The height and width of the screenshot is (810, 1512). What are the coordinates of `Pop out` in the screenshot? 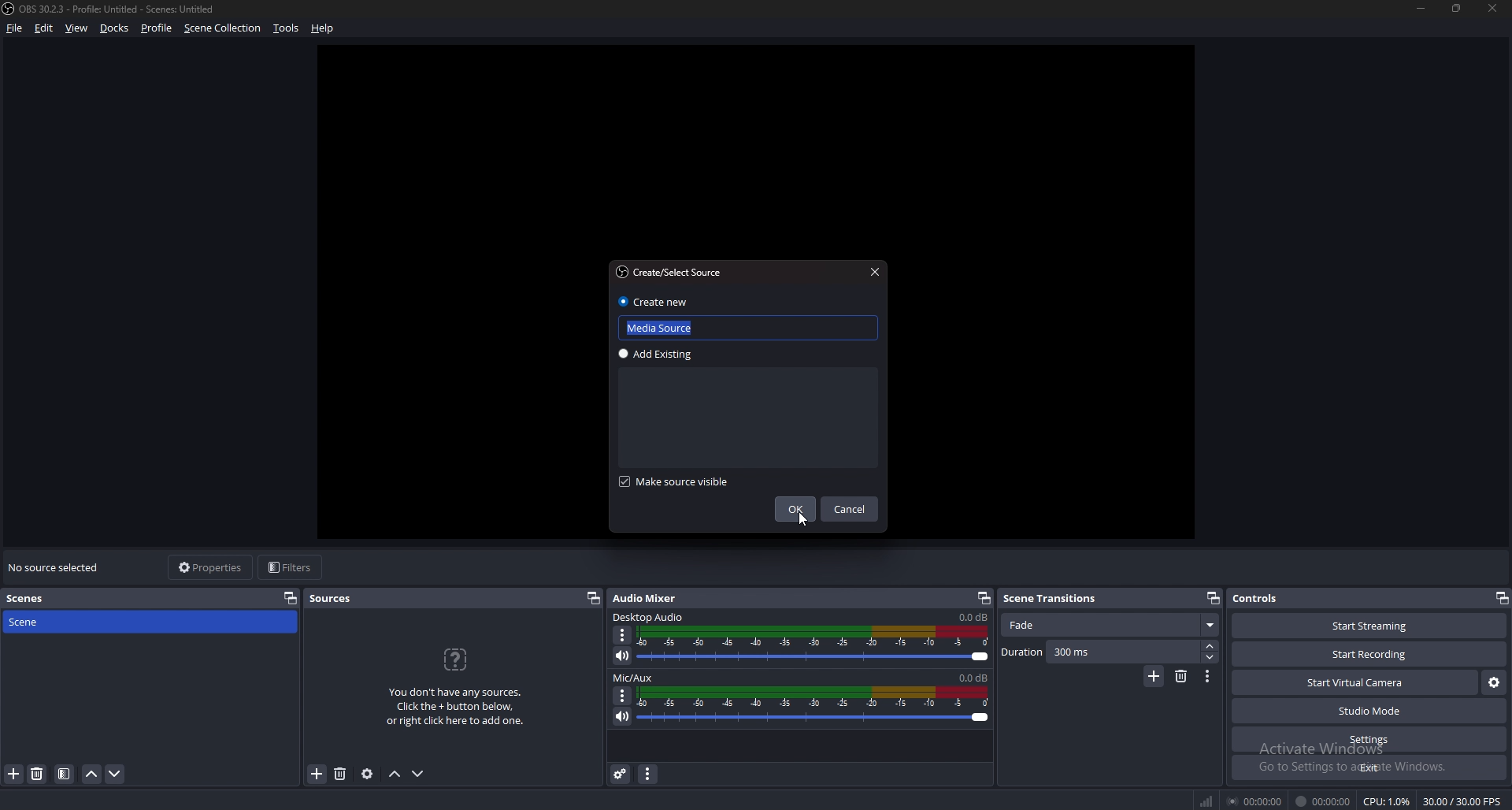 It's located at (984, 599).